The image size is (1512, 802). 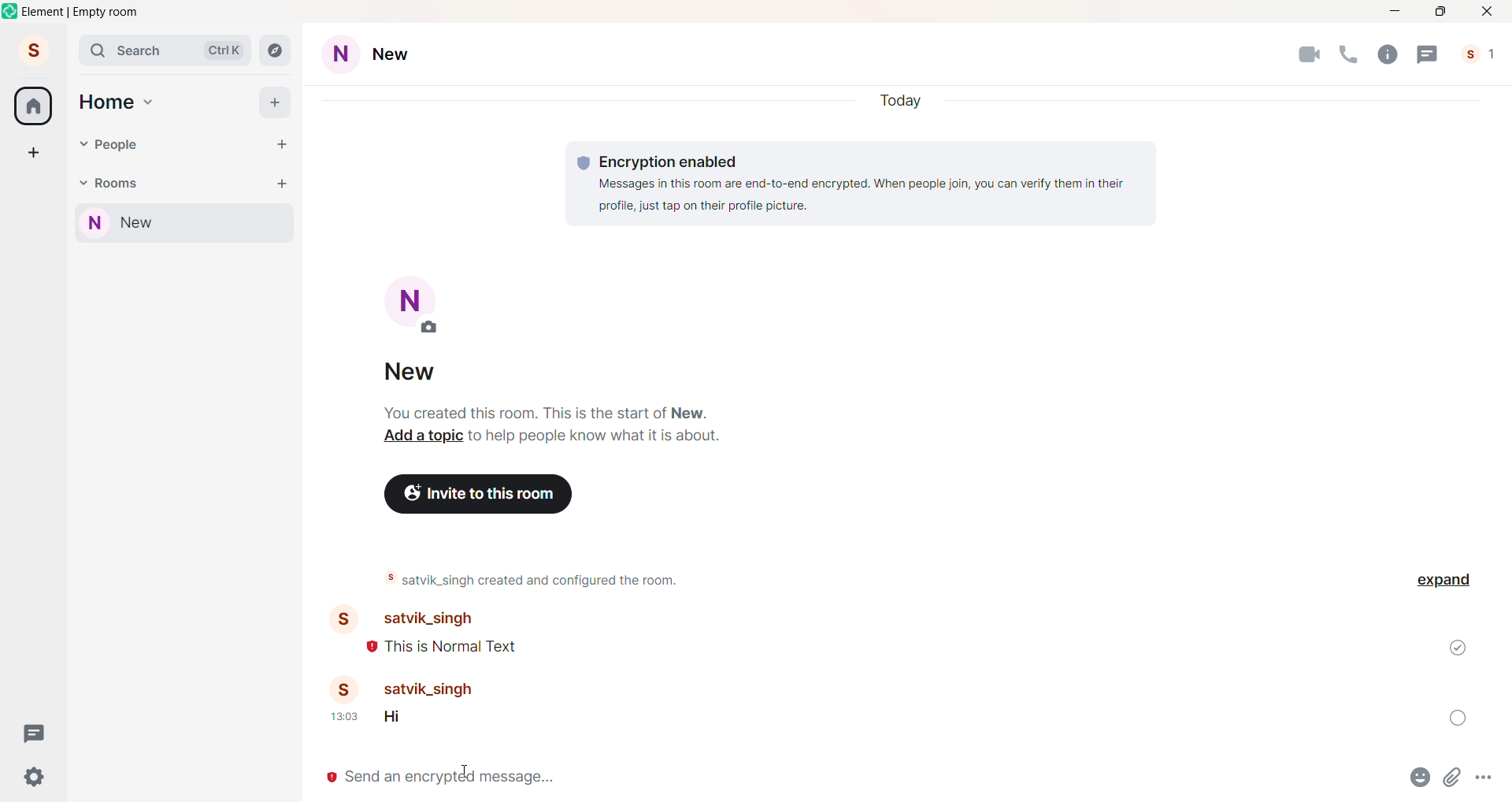 I want to click on "Hi" sent using markdown, so click(x=398, y=719).